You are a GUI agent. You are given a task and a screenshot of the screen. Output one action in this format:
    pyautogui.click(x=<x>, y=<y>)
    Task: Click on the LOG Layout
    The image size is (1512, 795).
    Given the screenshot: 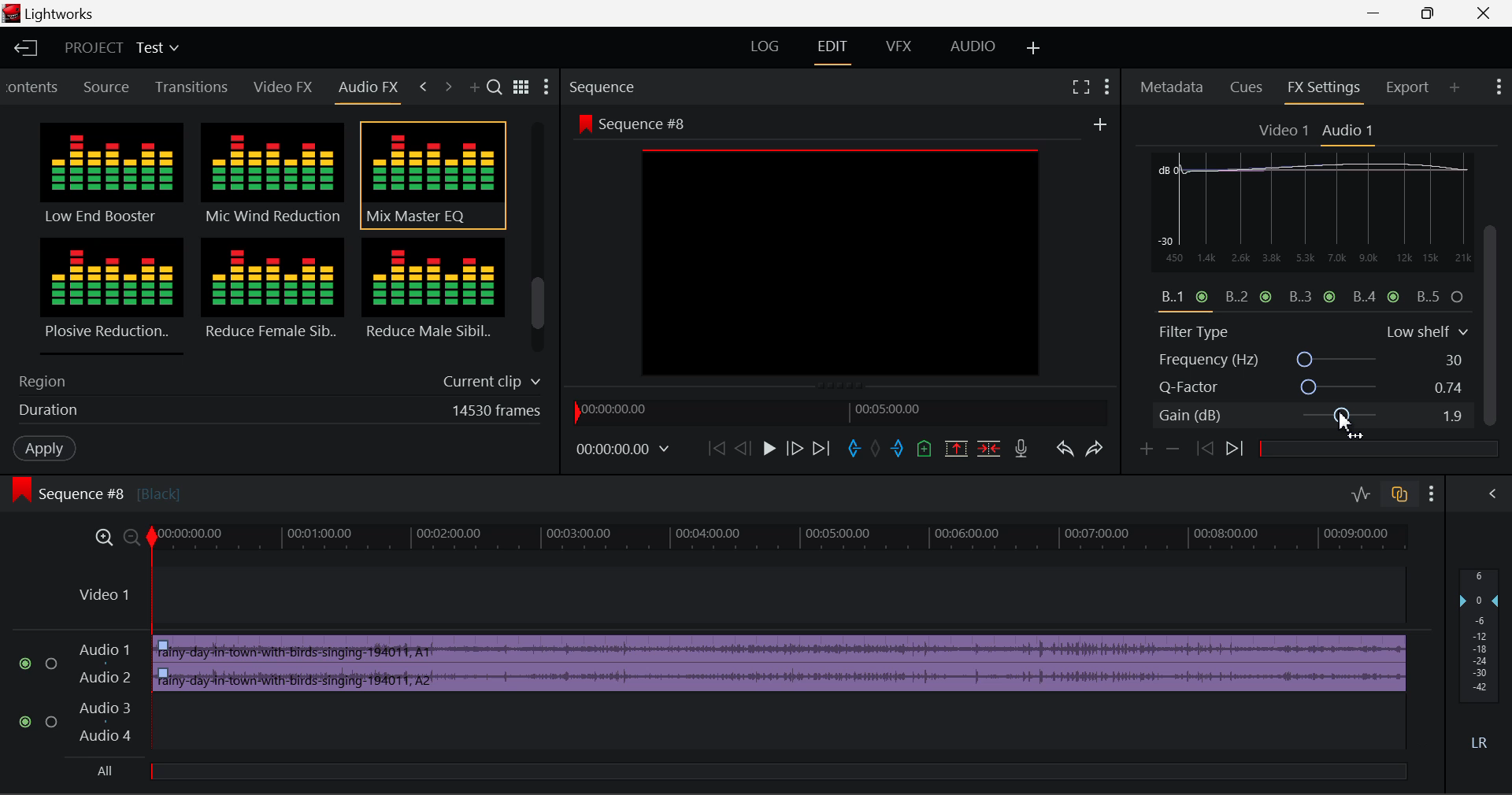 What is the action you would take?
    pyautogui.click(x=762, y=47)
    